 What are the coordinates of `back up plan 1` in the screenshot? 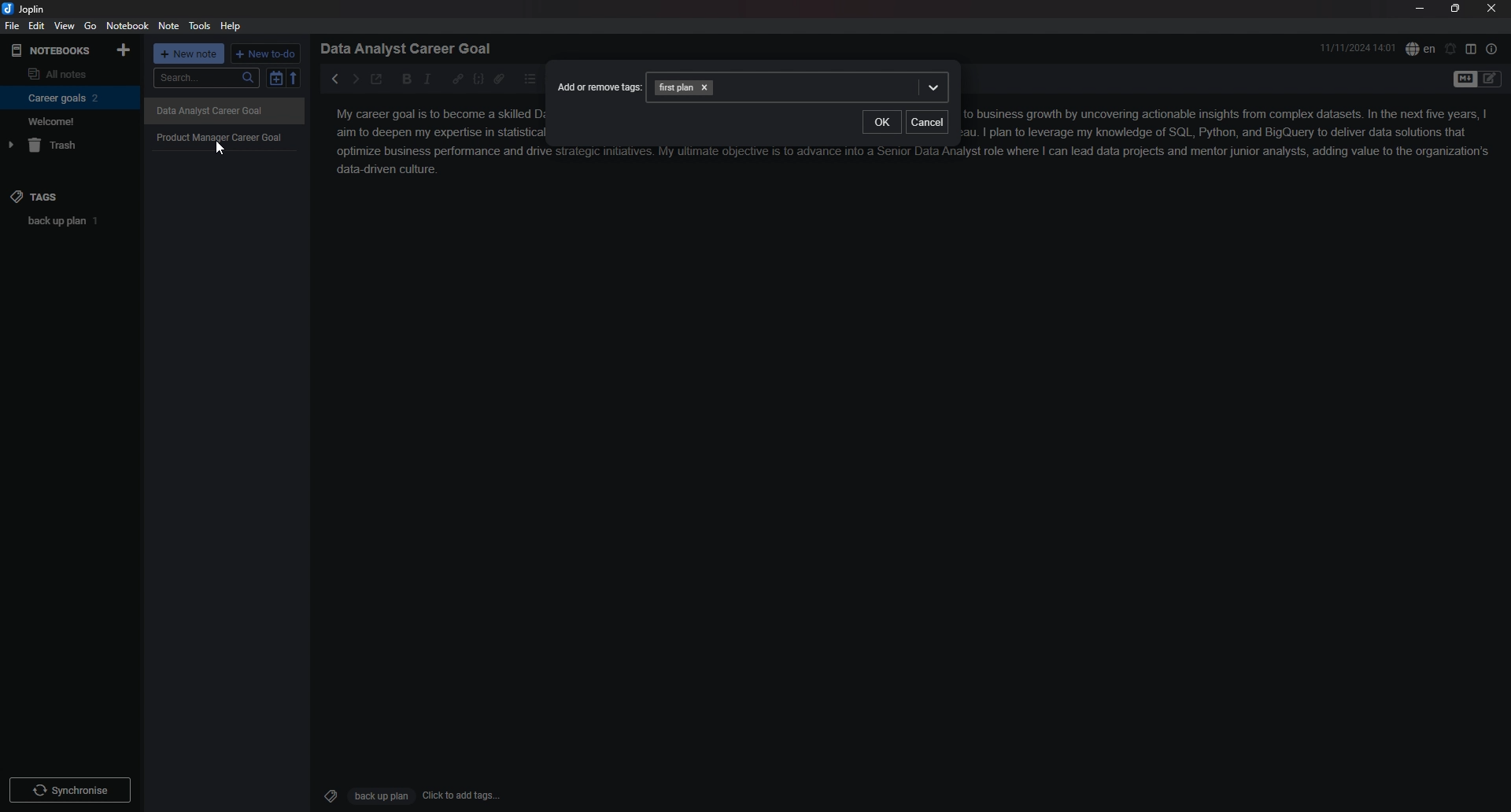 It's located at (72, 220).